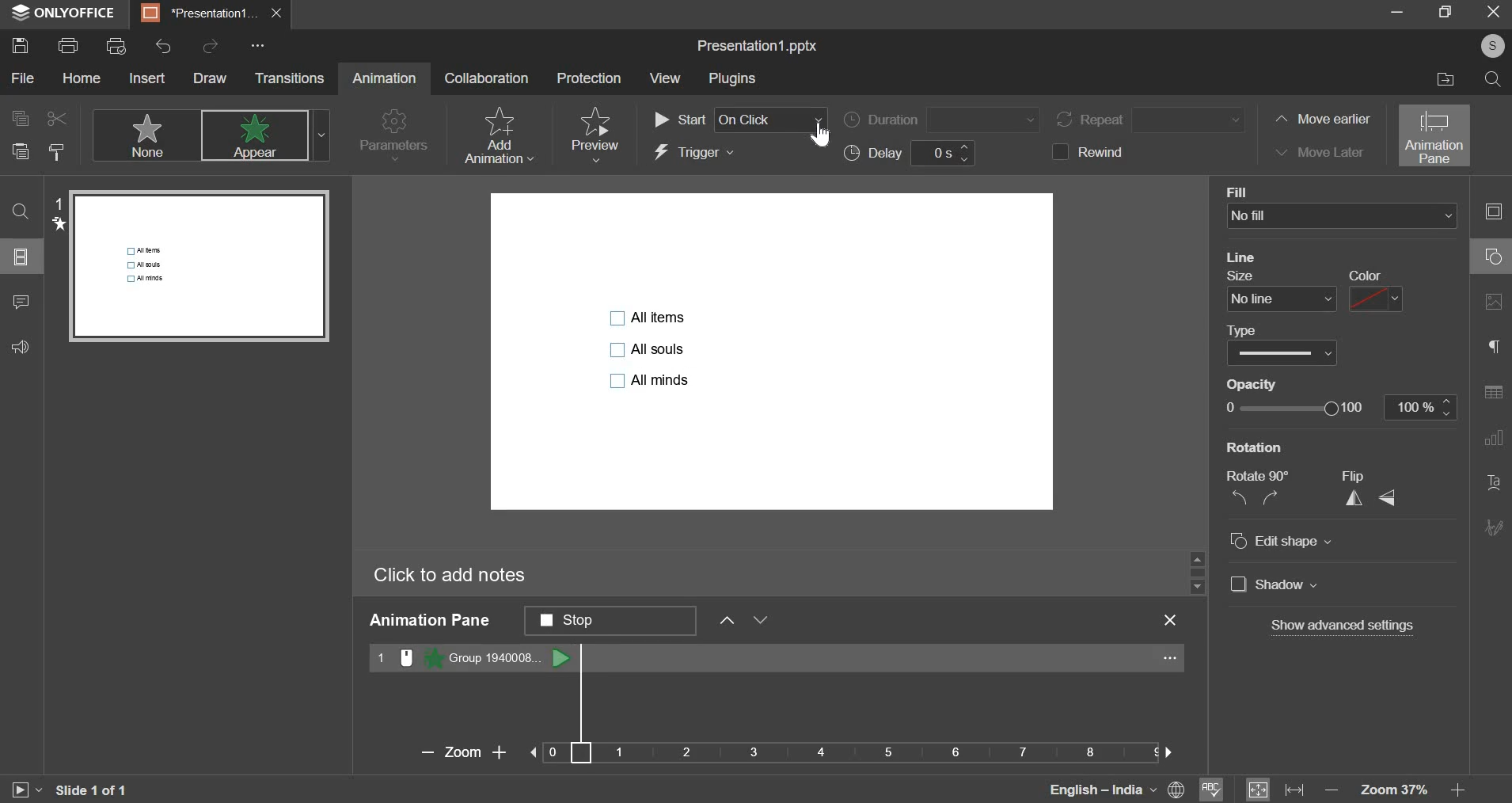  Describe the element at coordinates (82, 78) in the screenshot. I see `home` at that location.